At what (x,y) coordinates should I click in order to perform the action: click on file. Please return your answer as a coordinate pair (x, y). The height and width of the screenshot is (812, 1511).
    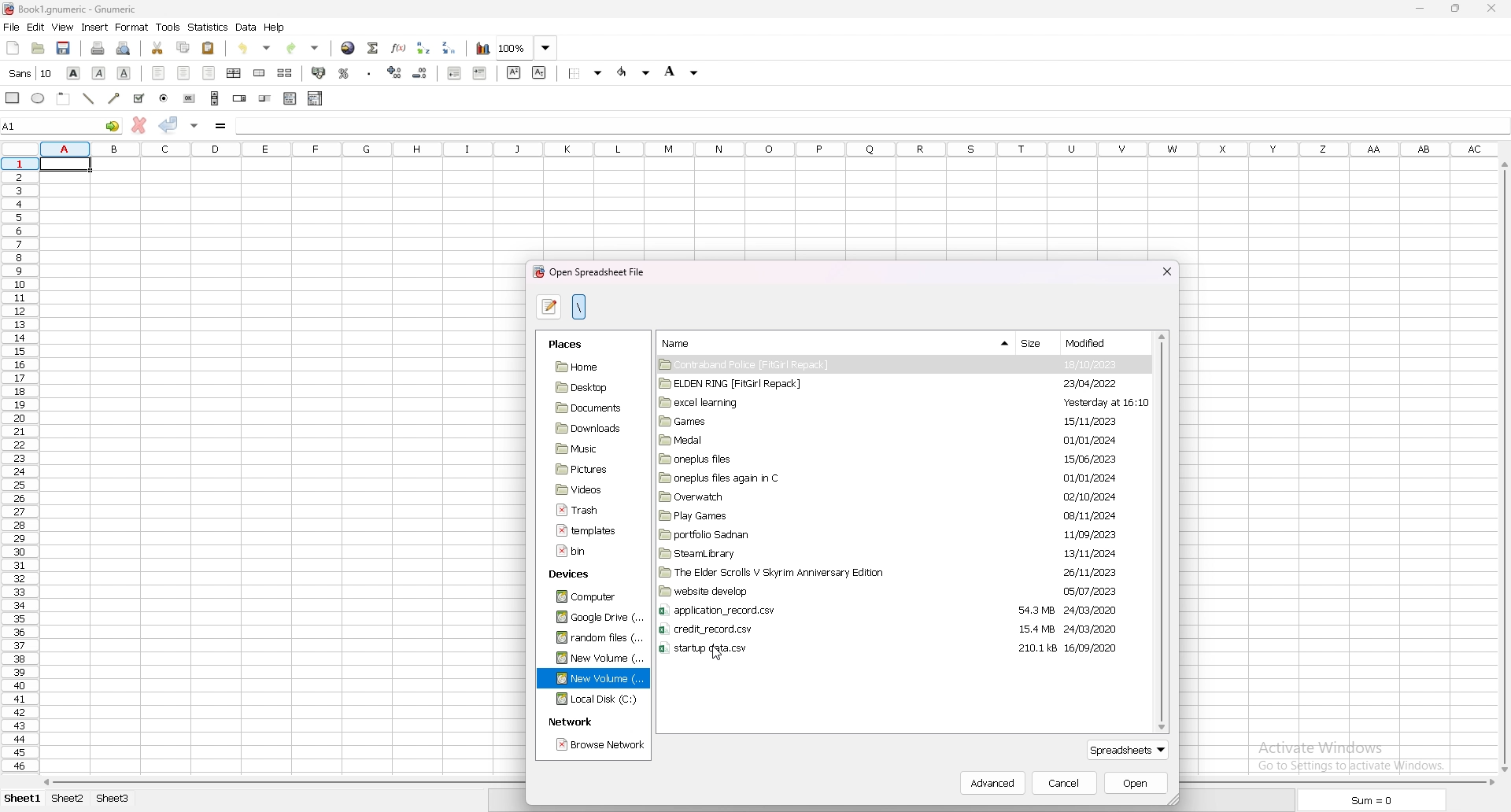
    Looking at the image, I should click on (709, 648).